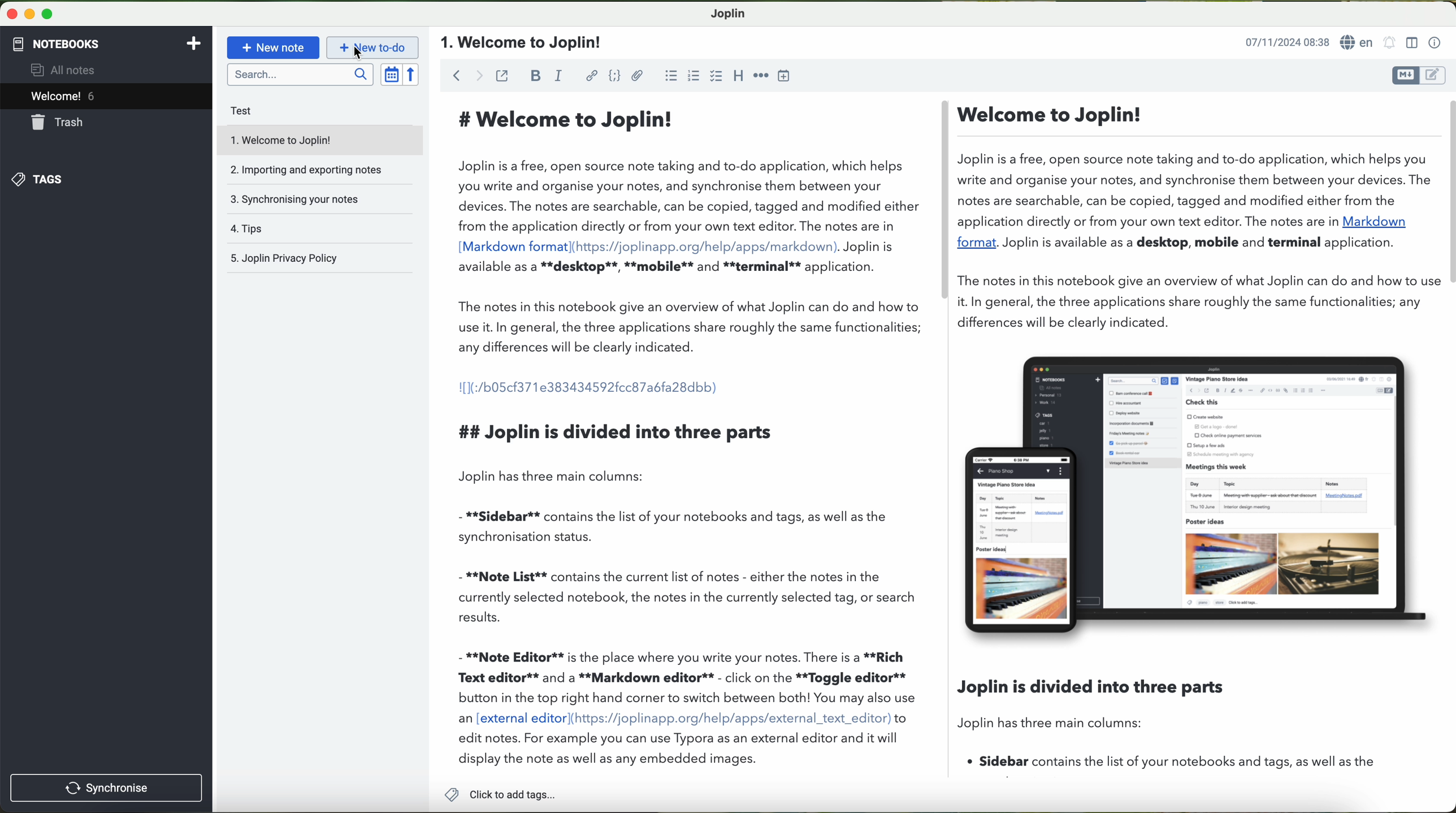 Image resolution: width=1456 pixels, height=813 pixels. I want to click on tags, so click(42, 178).